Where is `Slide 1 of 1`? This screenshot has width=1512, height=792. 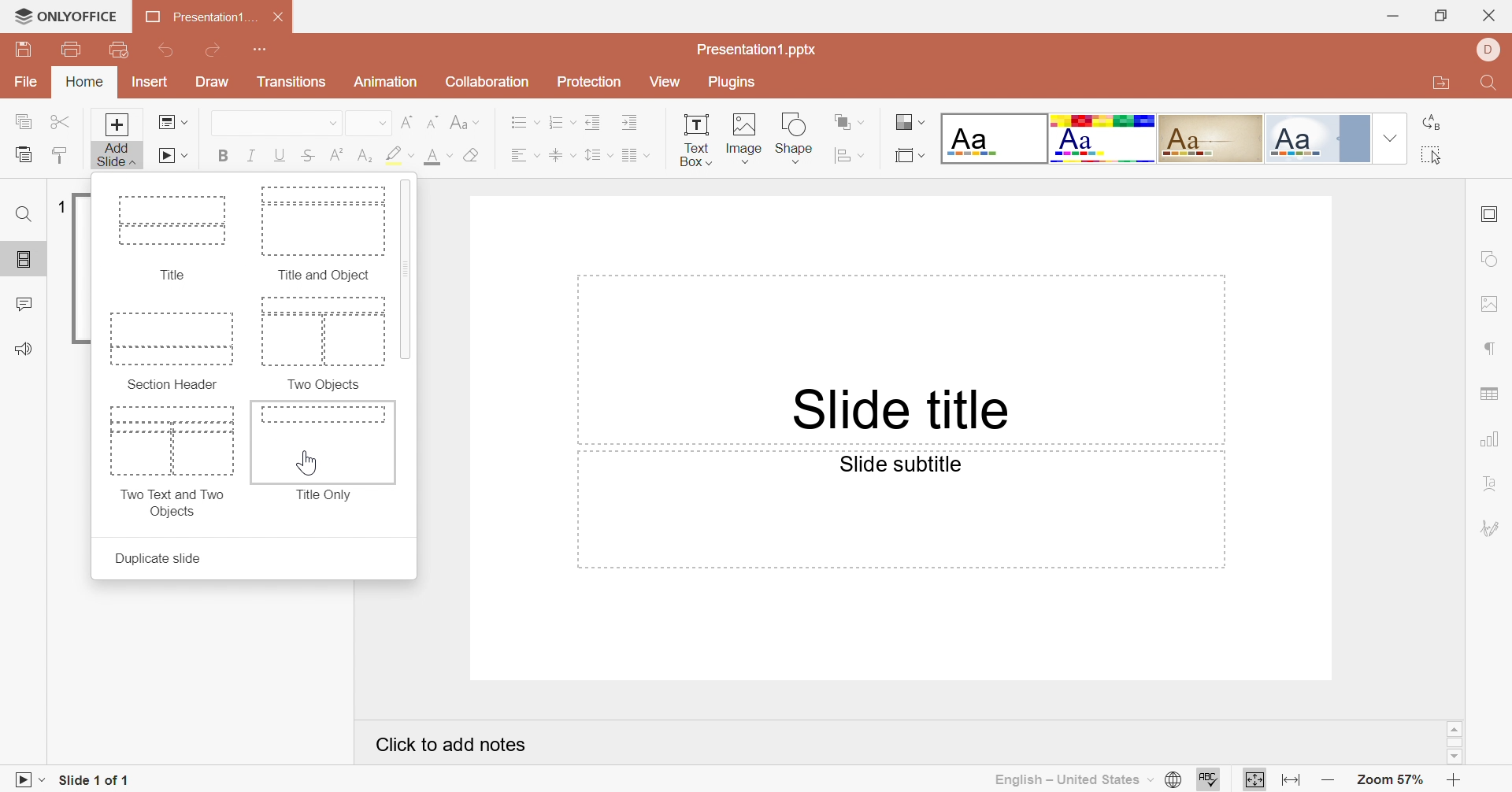 Slide 1 of 1 is located at coordinates (95, 780).